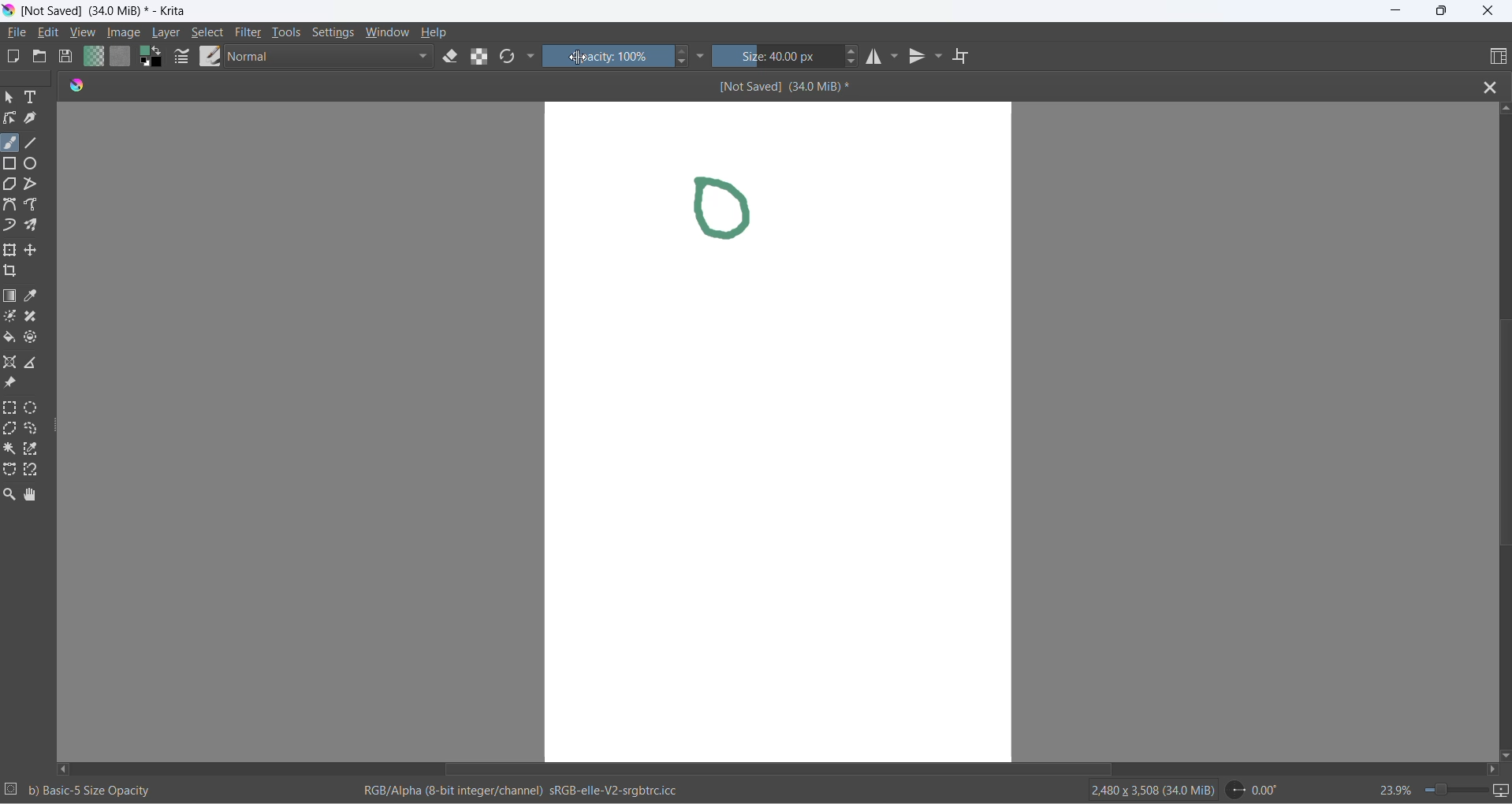 The height and width of the screenshot is (804, 1512). I want to click on open document, so click(45, 58).